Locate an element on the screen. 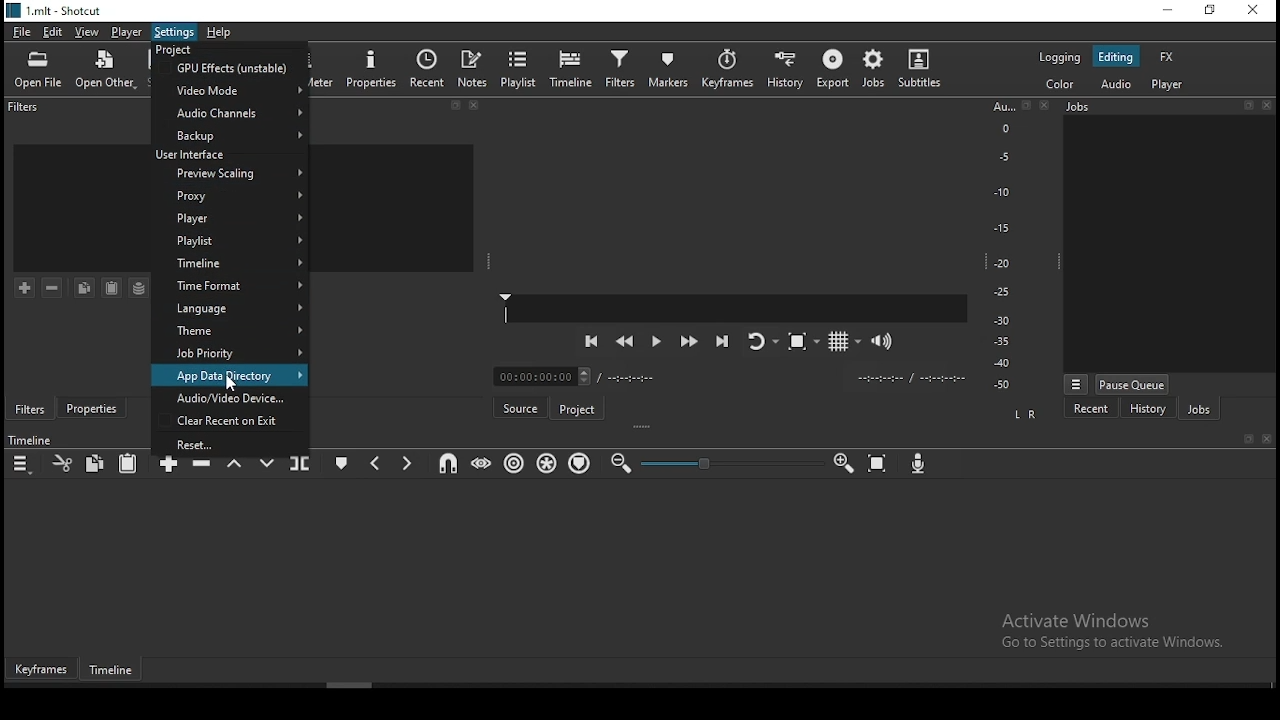 Image resolution: width=1280 pixels, height=720 pixels. paste is located at coordinates (129, 463).